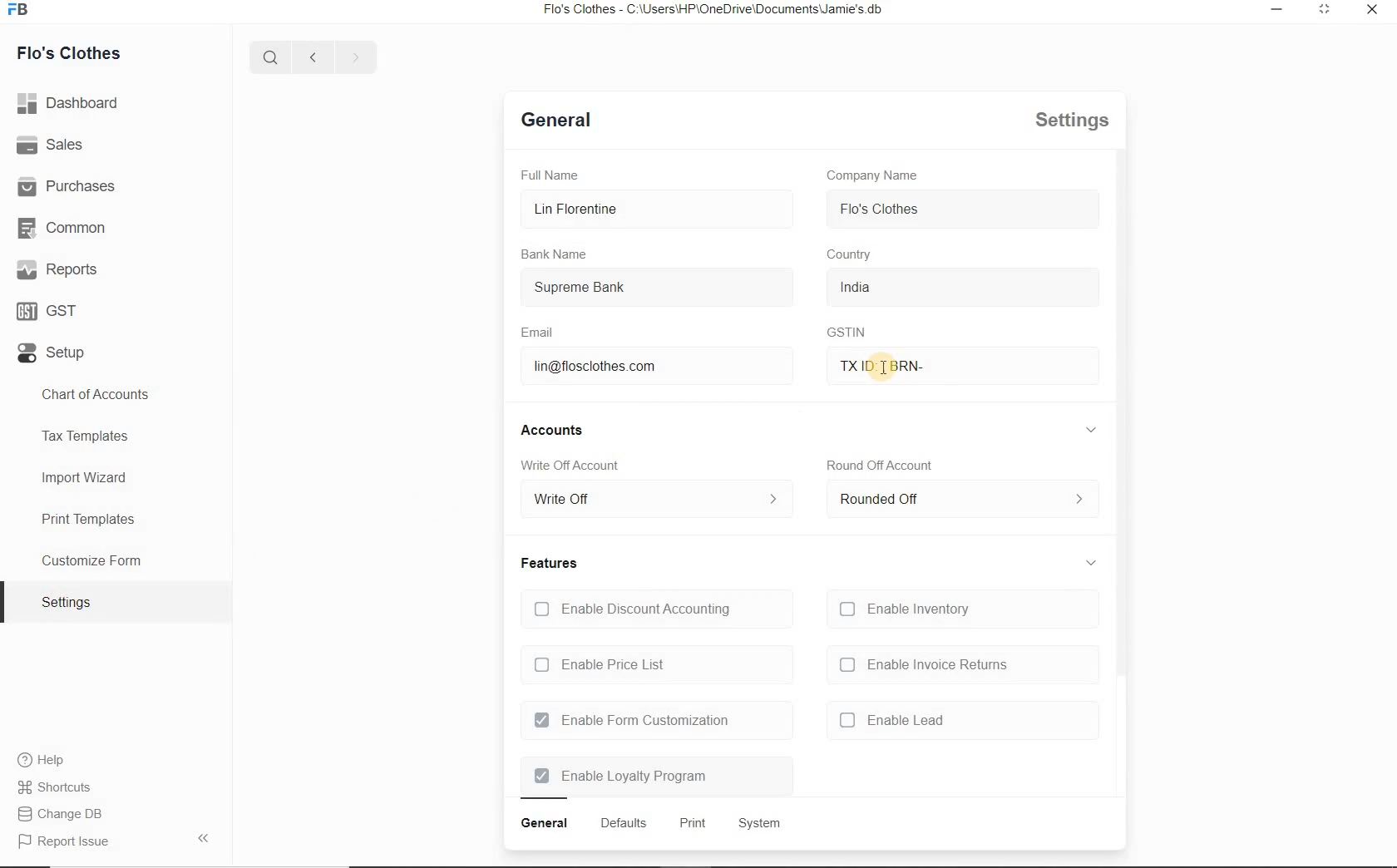 This screenshot has height=868, width=1397. What do you see at coordinates (541, 333) in the screenshot?
I see `Email` at bounding box center [541, 333].